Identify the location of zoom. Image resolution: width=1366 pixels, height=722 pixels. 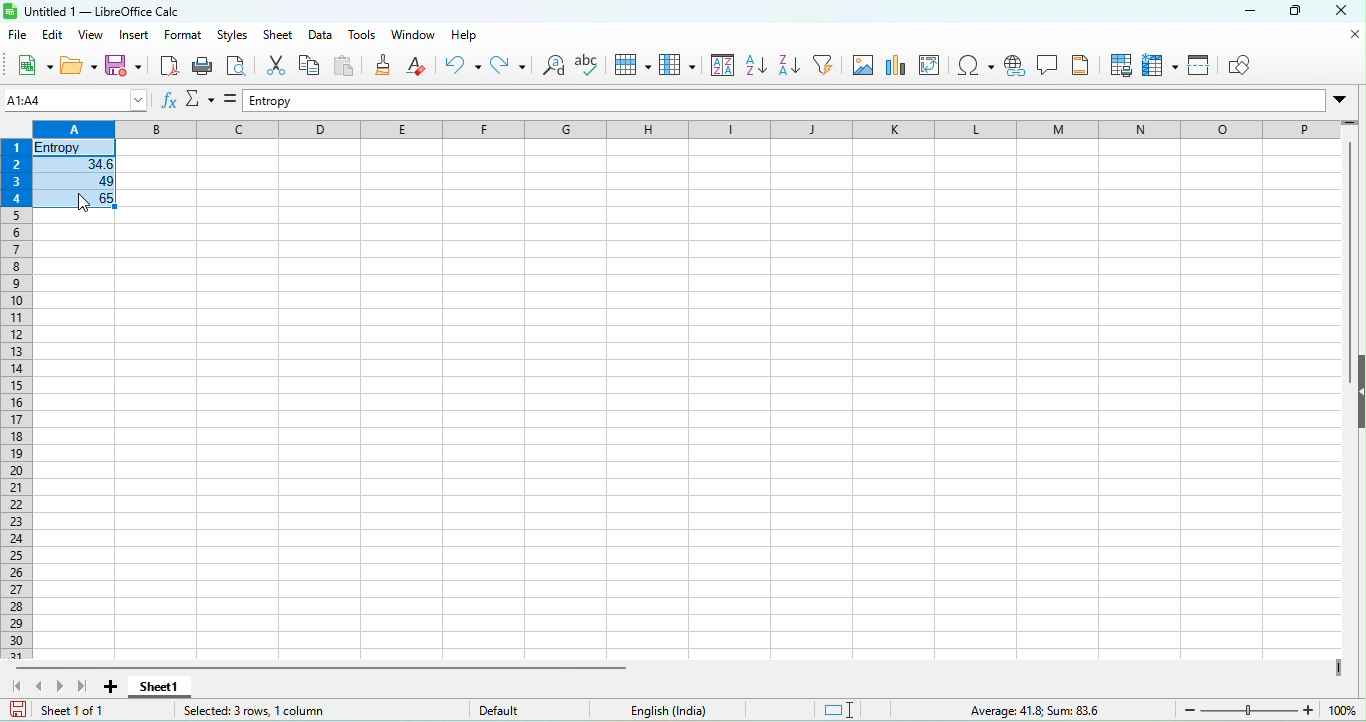
(1346, 710).